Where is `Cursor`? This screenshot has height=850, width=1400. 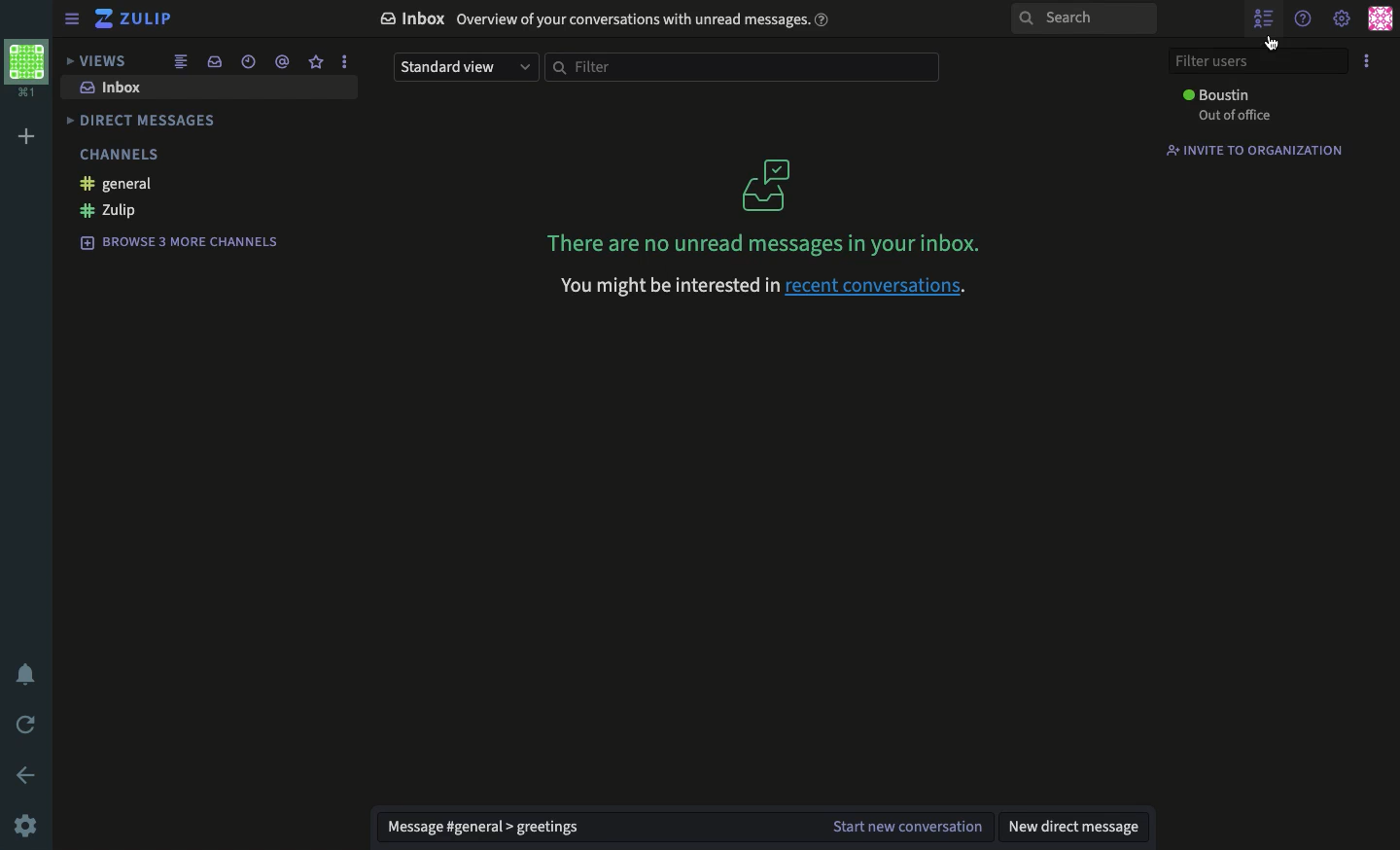
Cursor is located at coordinates (1277, 47).